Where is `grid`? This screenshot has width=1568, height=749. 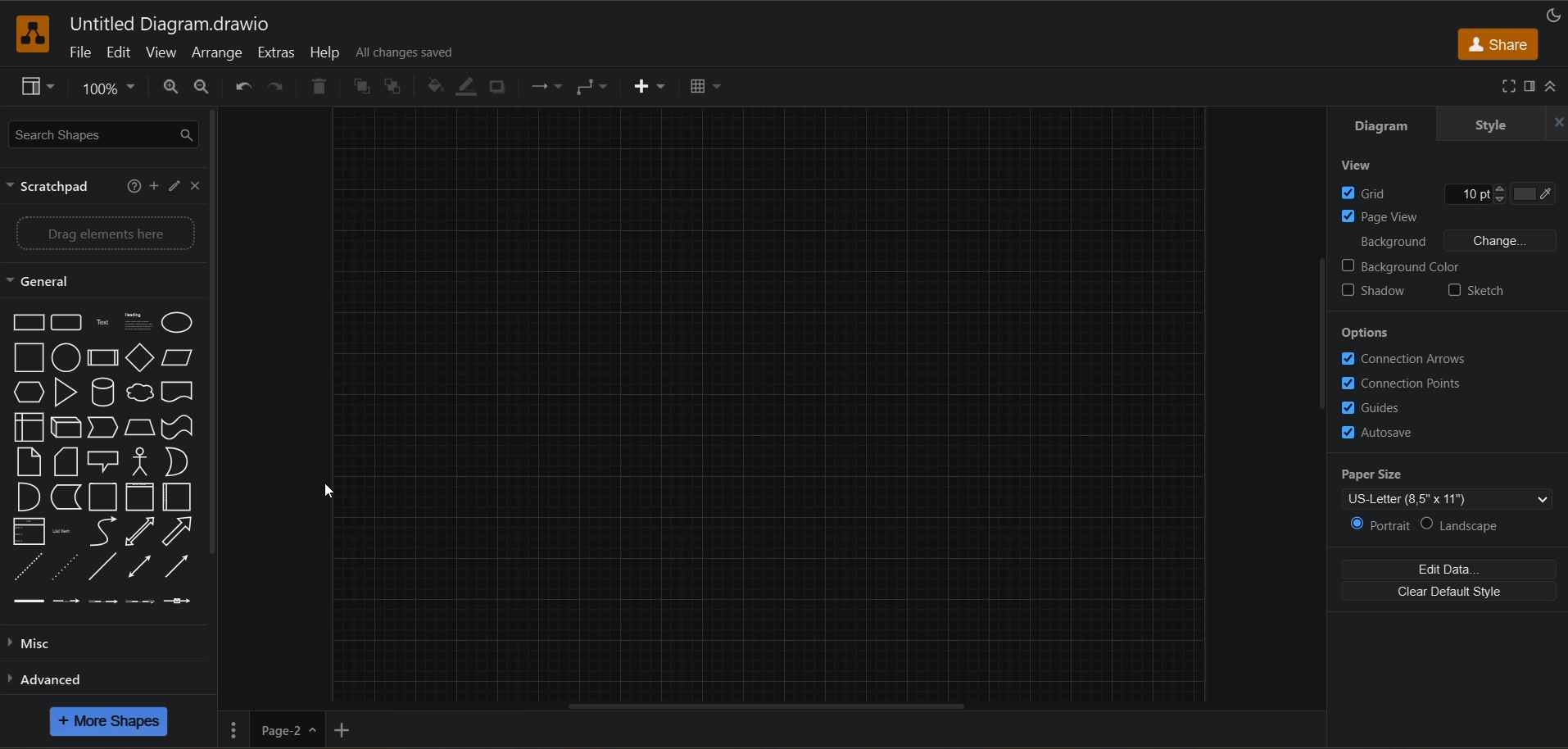 grid is located at coordinates (1371, 192).